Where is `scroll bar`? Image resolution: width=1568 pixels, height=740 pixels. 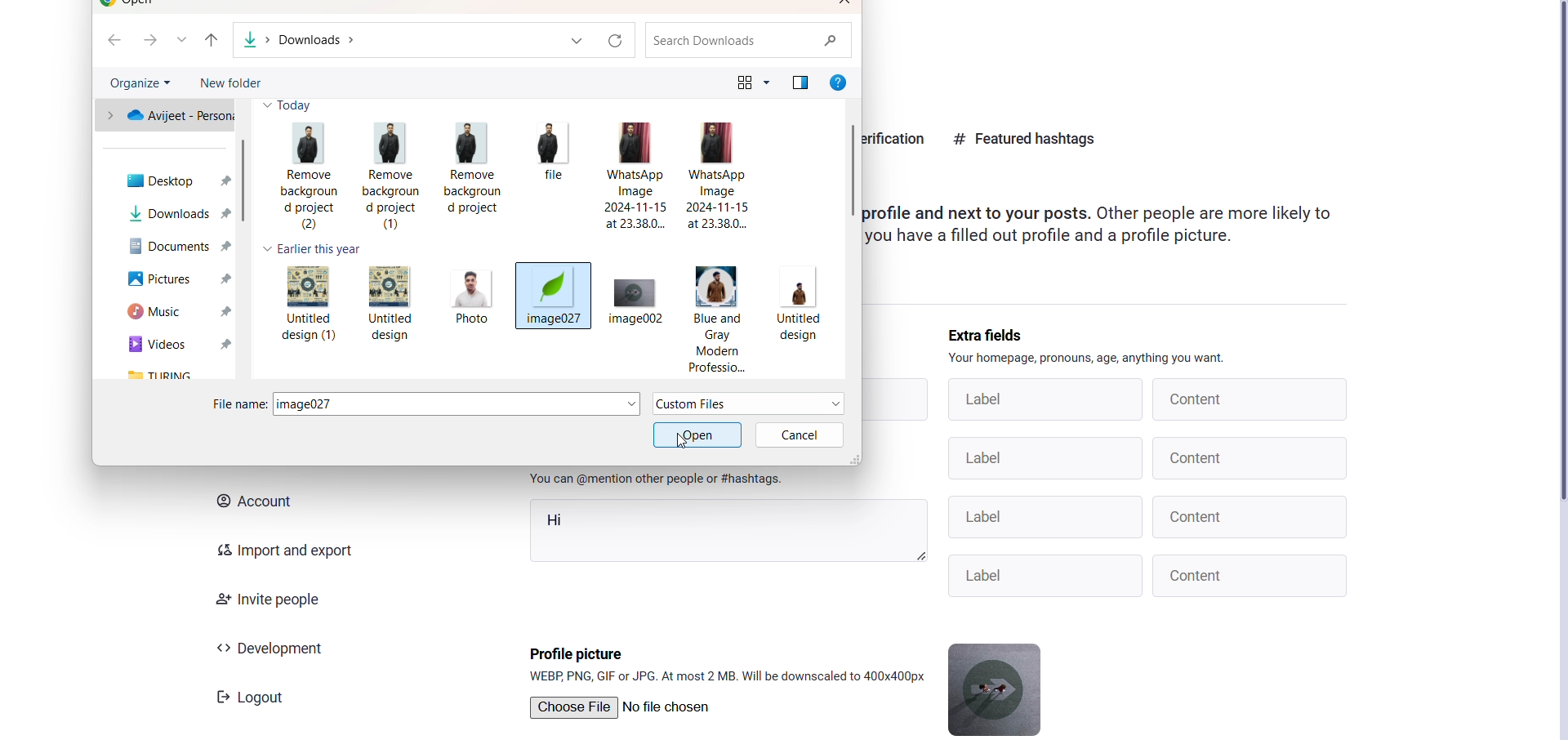
scroll bar is located at coordinates (246, 182).